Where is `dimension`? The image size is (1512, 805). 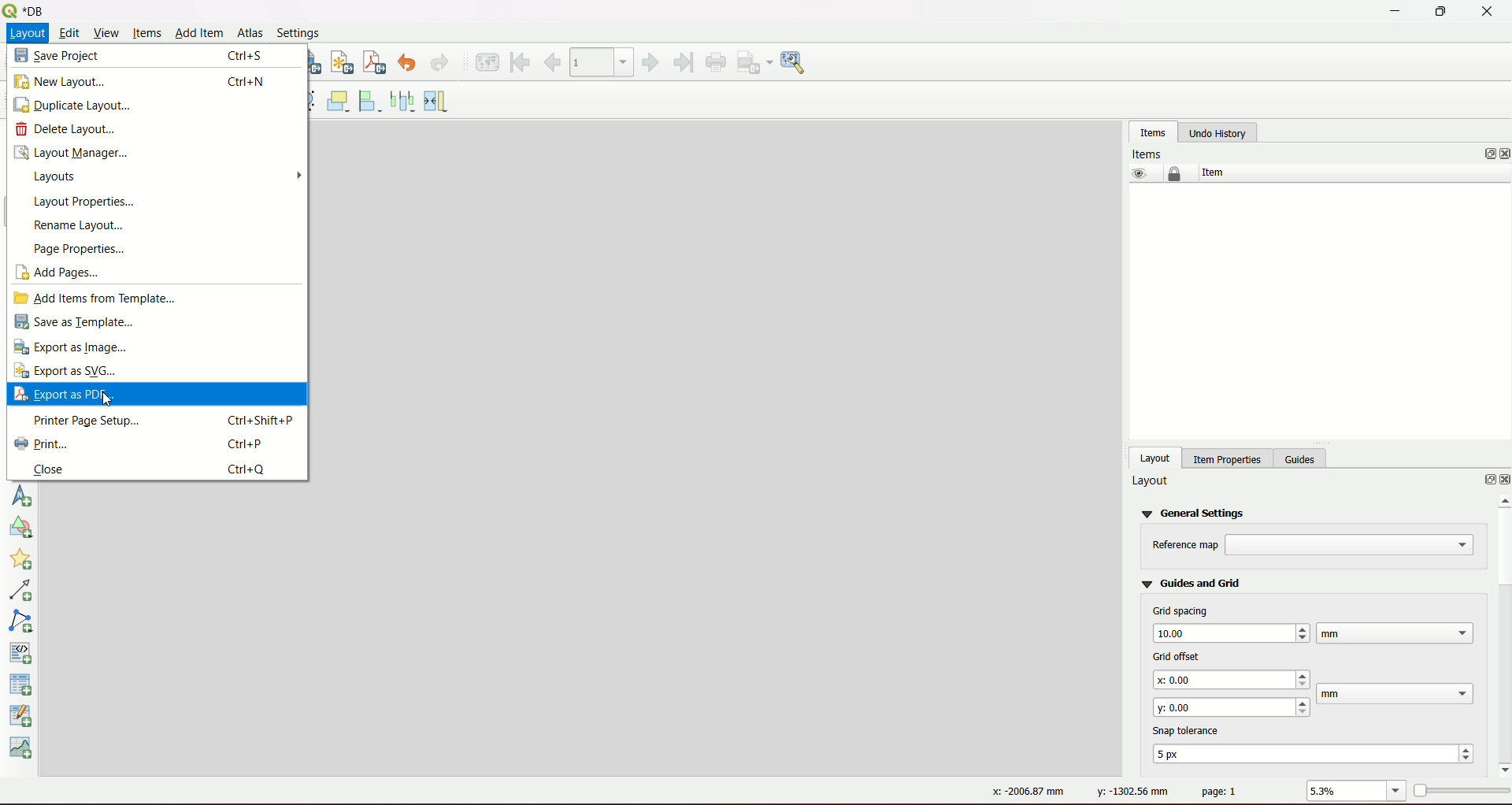 dimension is located at coordinates (1129, 792).